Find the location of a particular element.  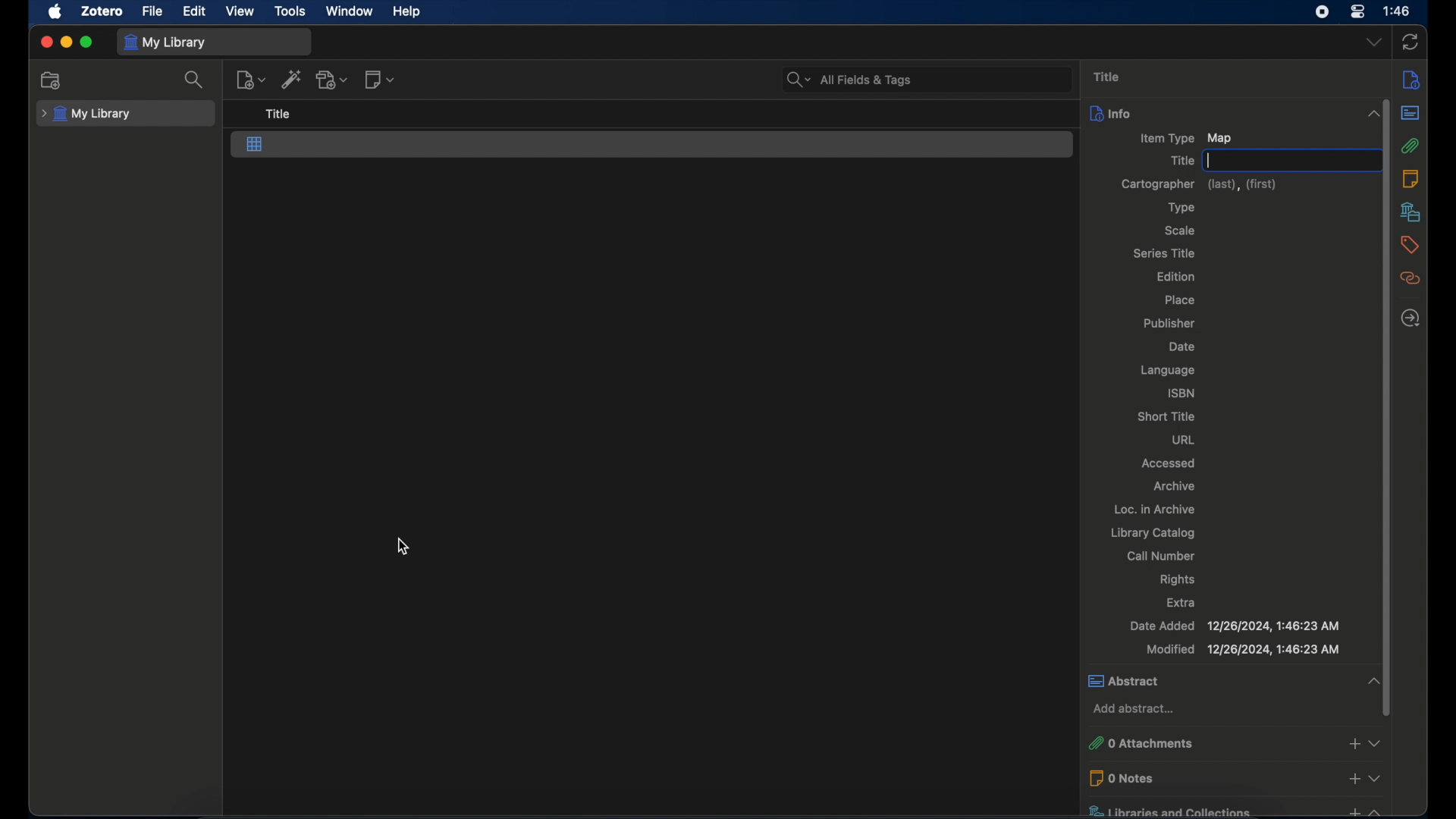

date is located at coordinates (1181, 347).